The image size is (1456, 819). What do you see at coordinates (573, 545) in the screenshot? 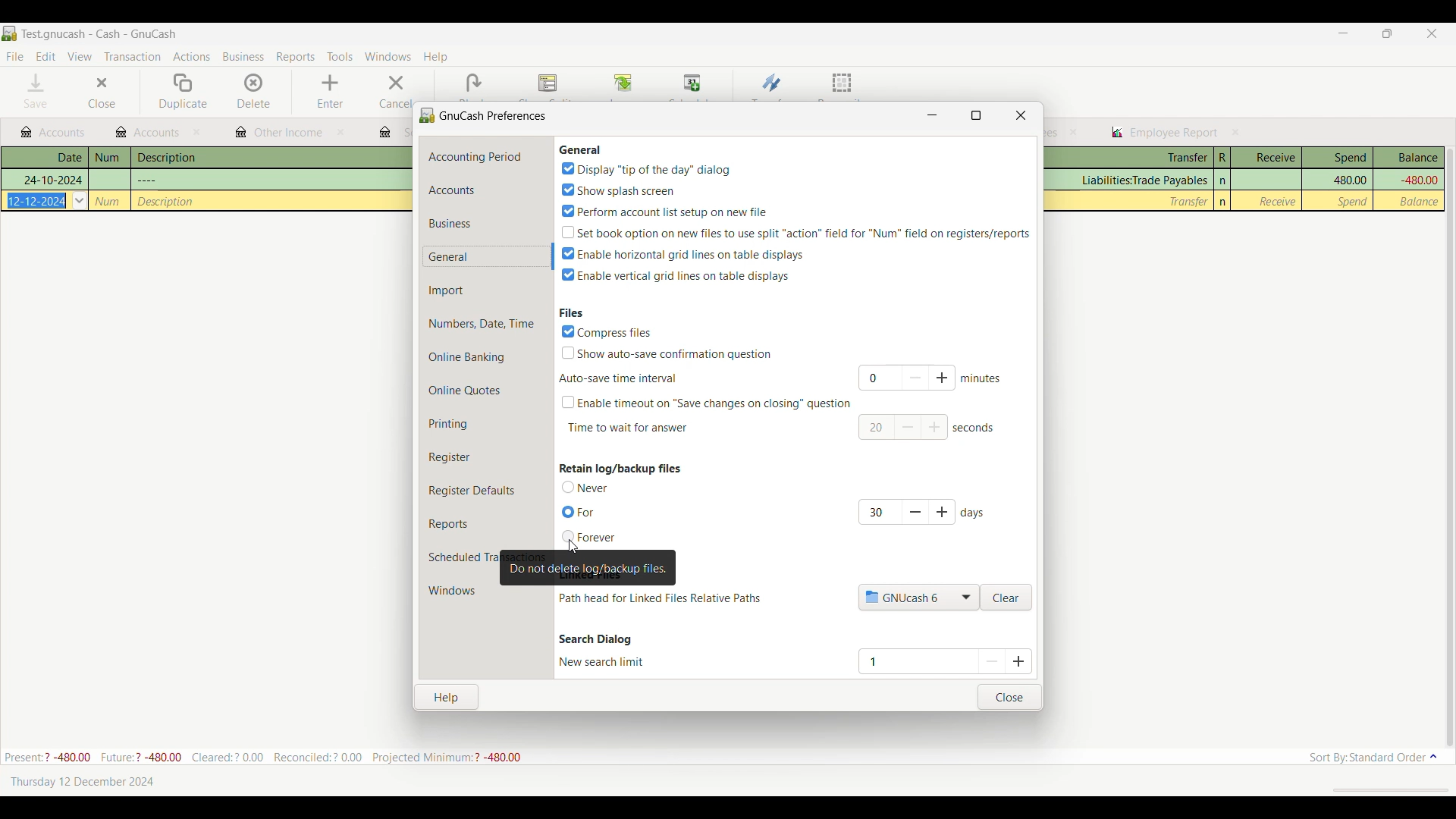
I see `cursor` at bounding box center [573, 545].